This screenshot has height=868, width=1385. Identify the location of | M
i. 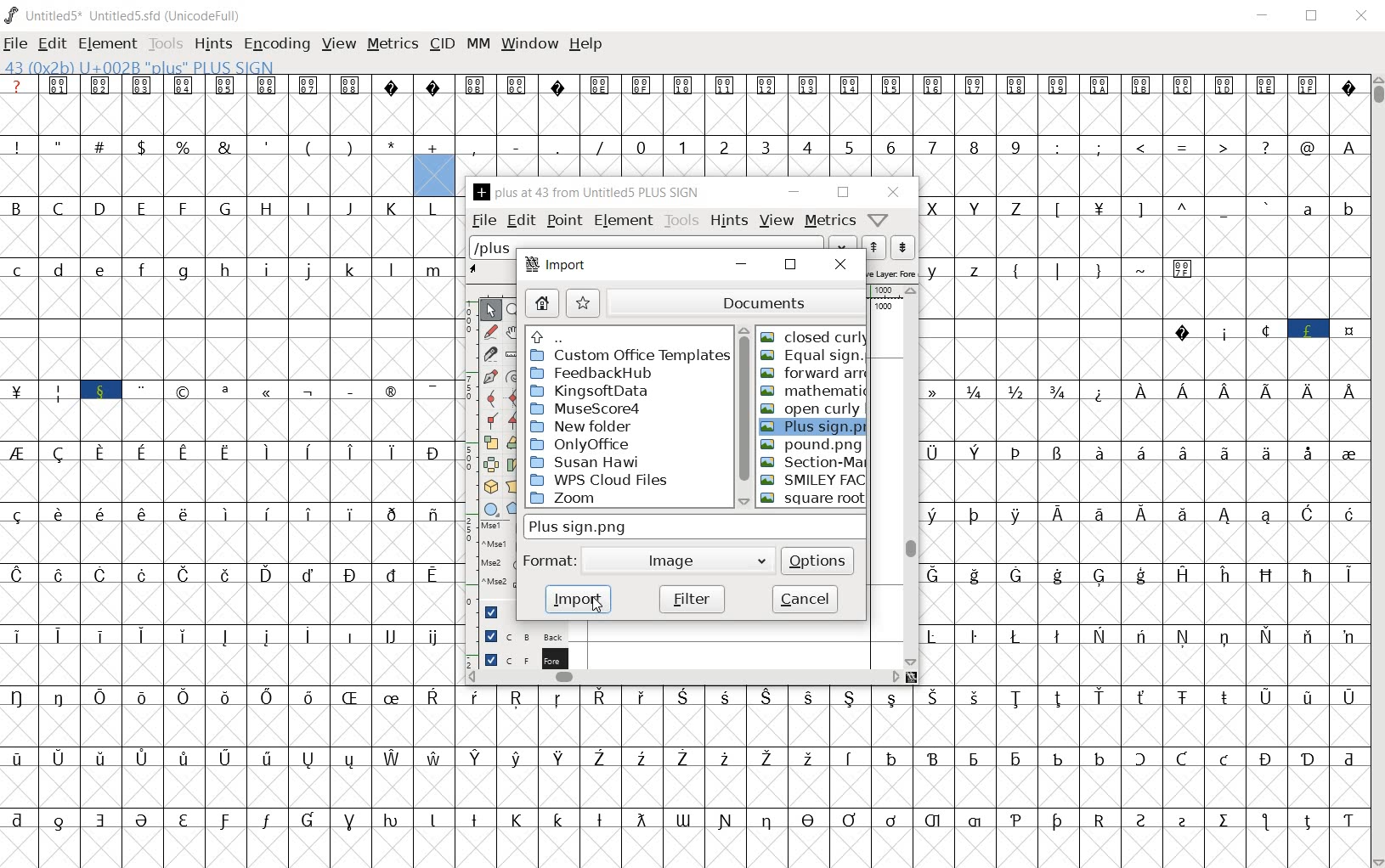
(18, 413).